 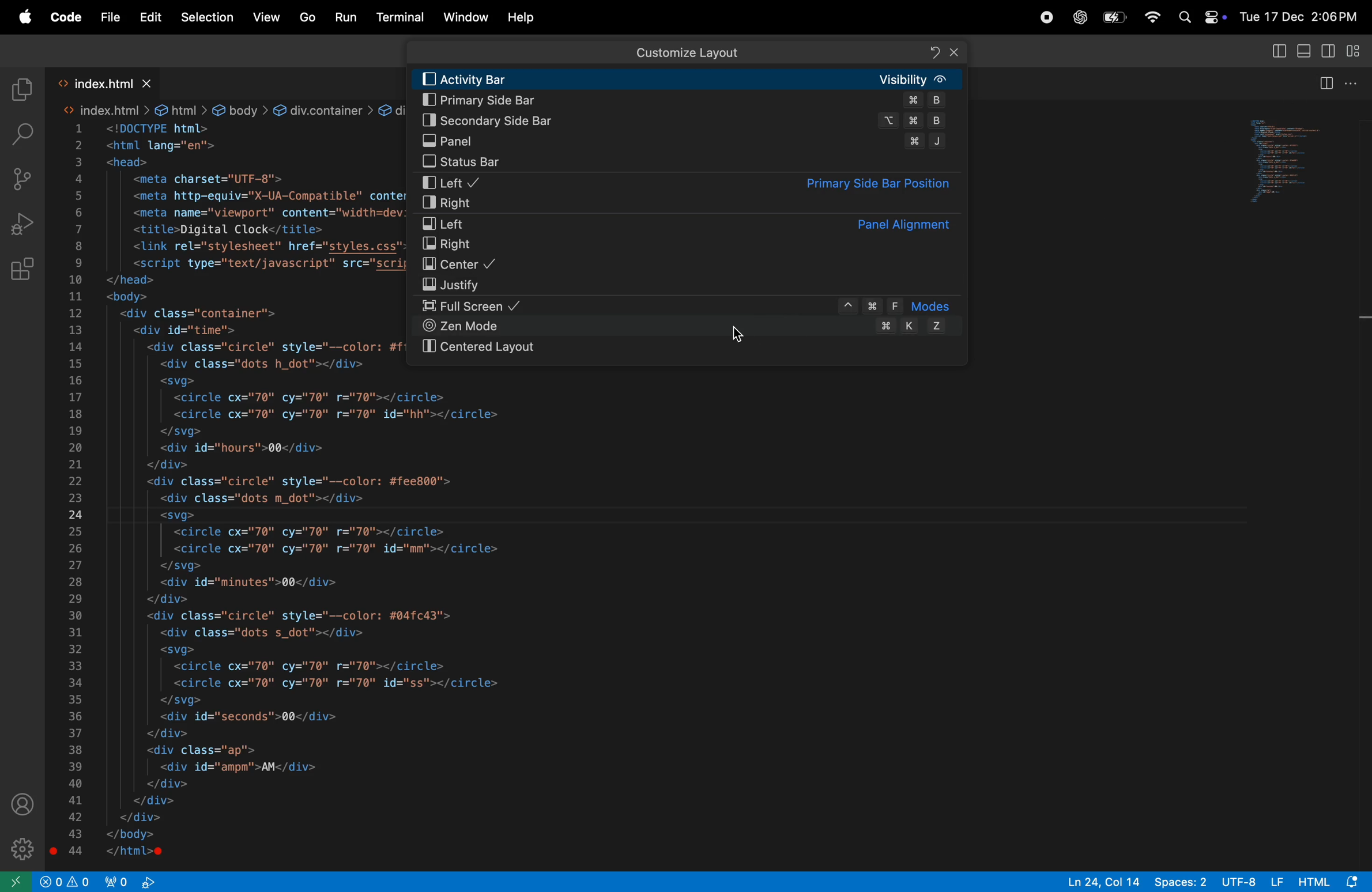 What do you see at coordinates (1356, 51) in the screenshot?
I see `customize layout` at bounding box center [1356, 51].